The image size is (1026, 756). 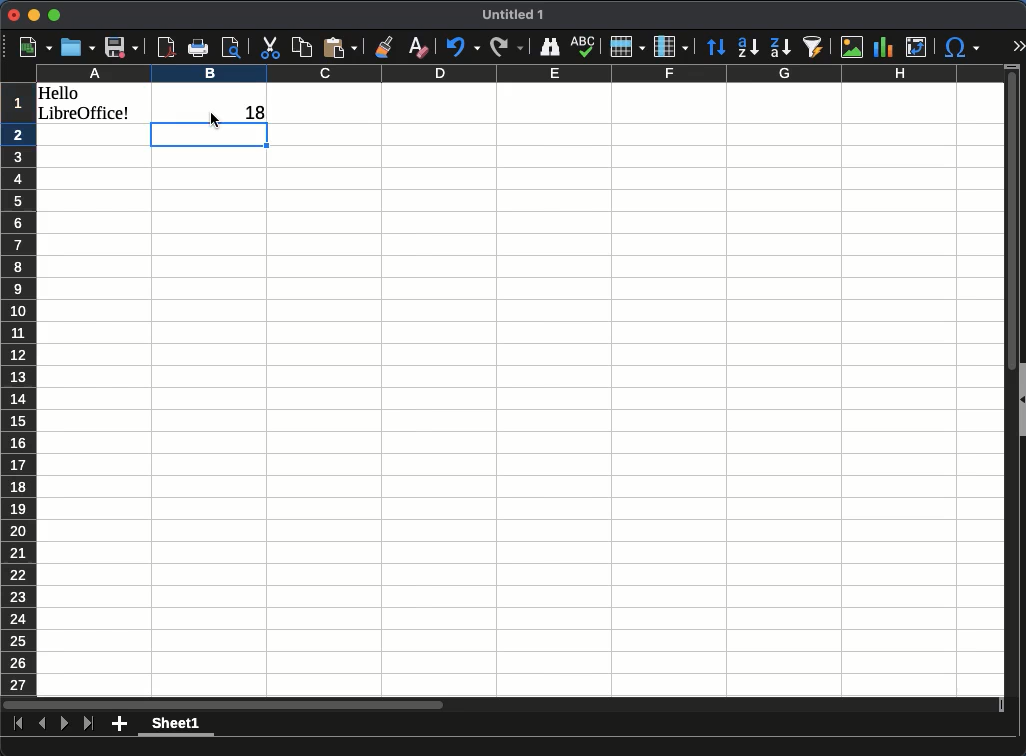 What do you see at coordinates (583, 45) in the screenshot?
I see `spell check` at bounding box center [583, 45].